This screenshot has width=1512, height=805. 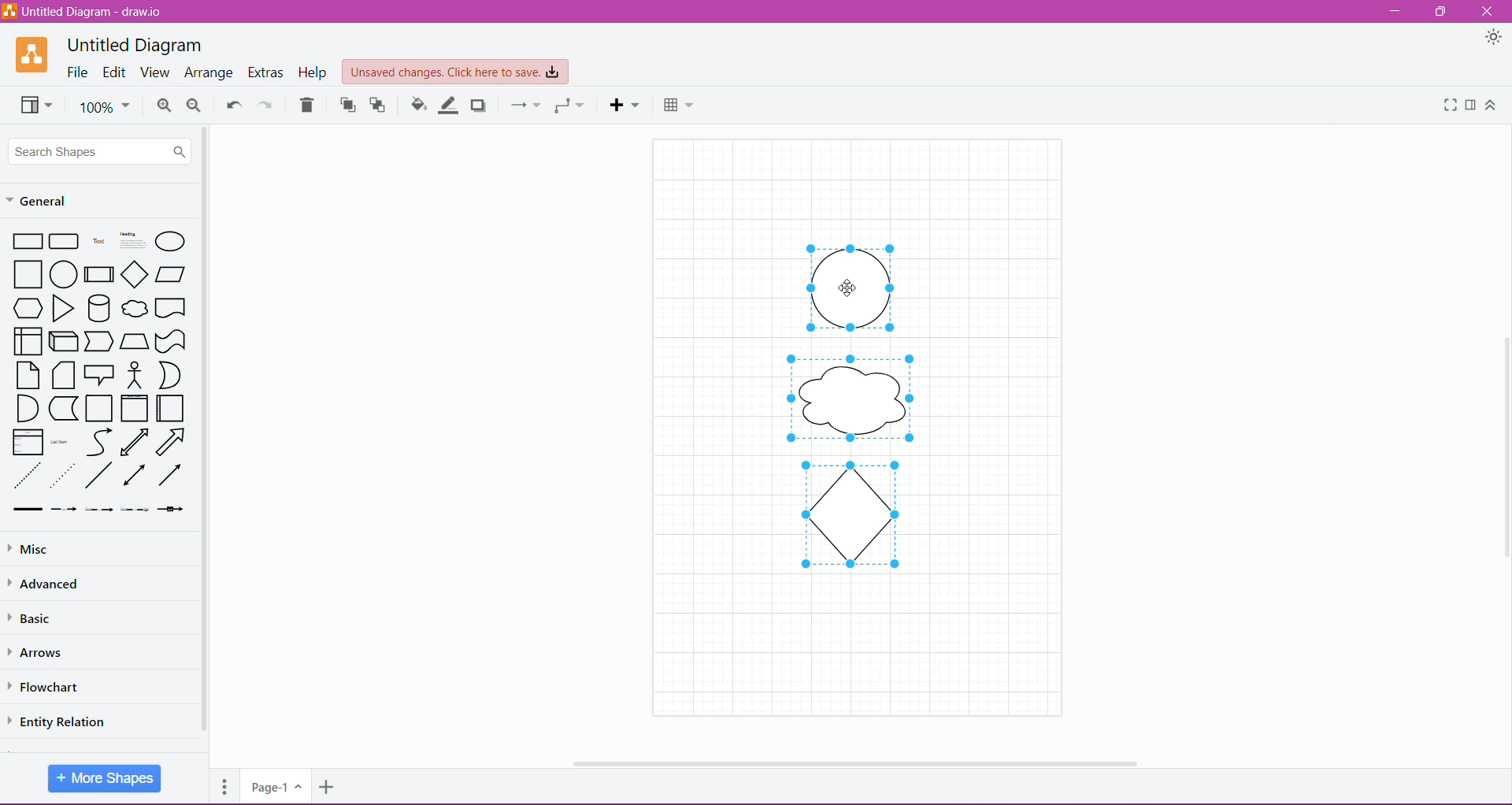 I want to click on Pages, so click(x=222, y=785).